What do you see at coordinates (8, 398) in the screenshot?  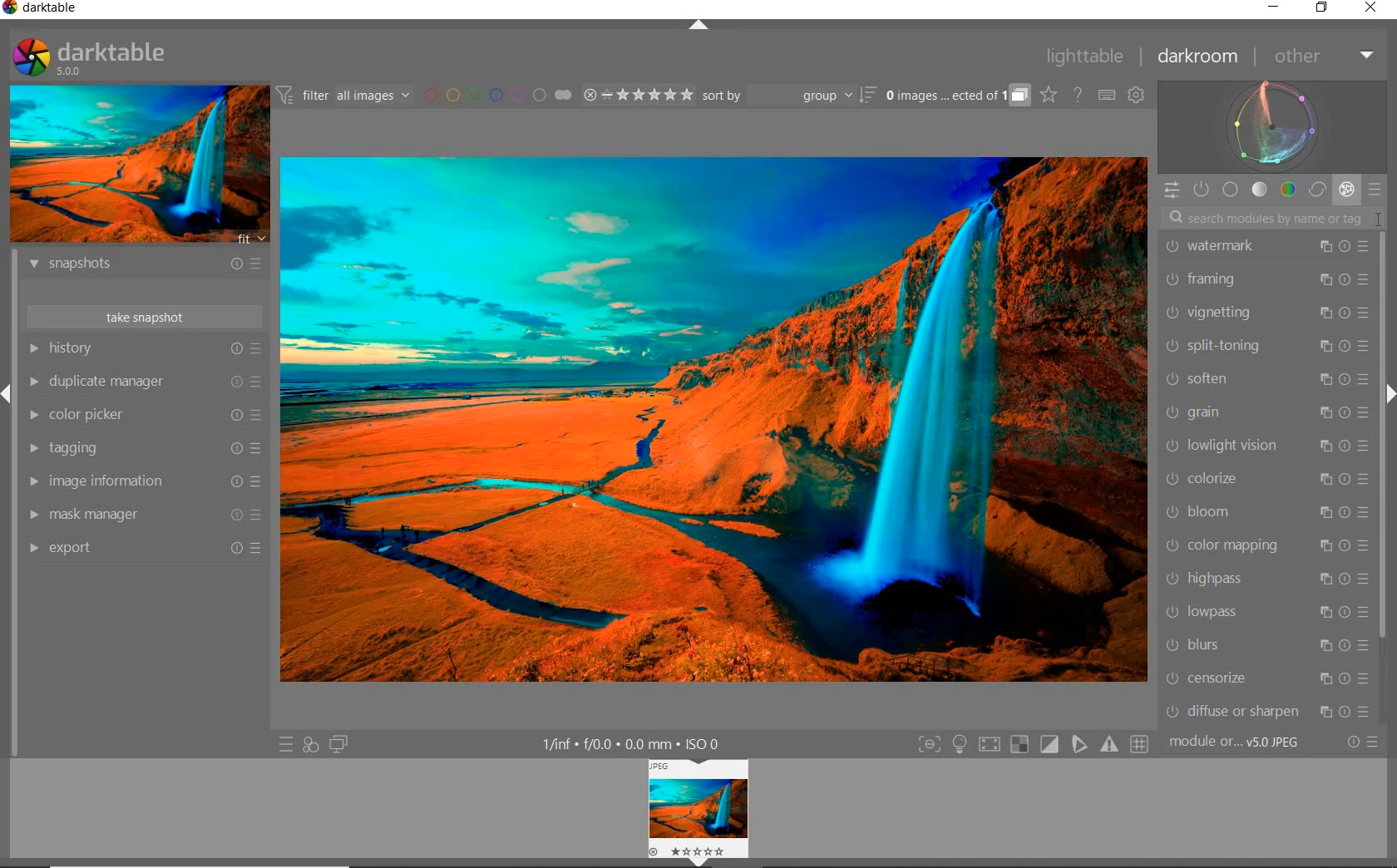 I see `Expand/Collapse` at bounding box center [8, 398].